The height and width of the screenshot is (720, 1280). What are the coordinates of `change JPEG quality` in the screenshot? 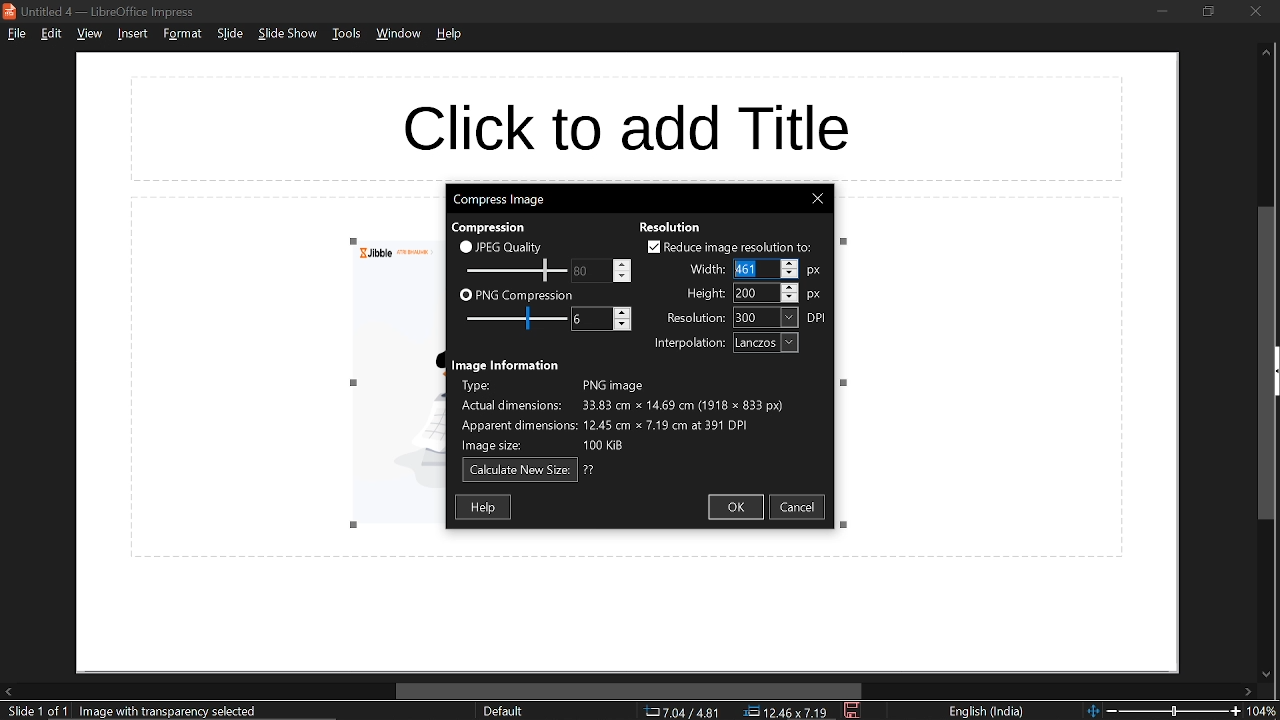 It's located at (582, 271).